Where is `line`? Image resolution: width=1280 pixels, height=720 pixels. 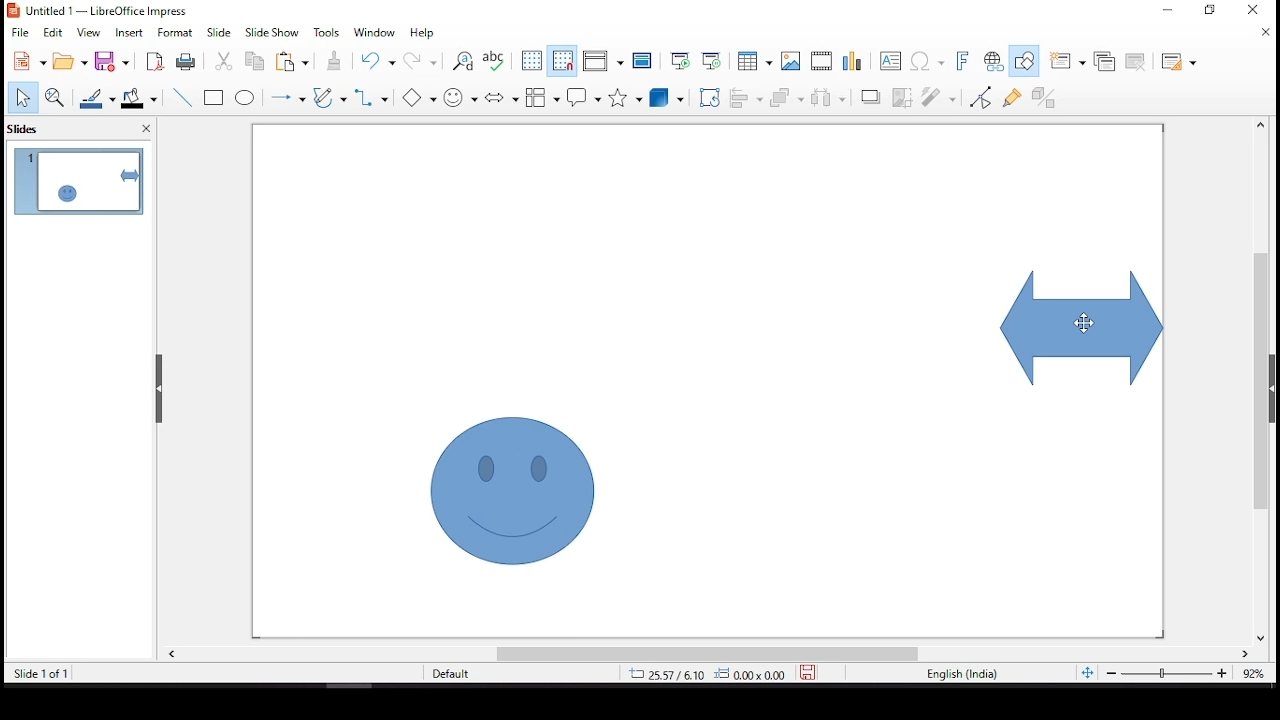
line is located at coordinates (183, 98).